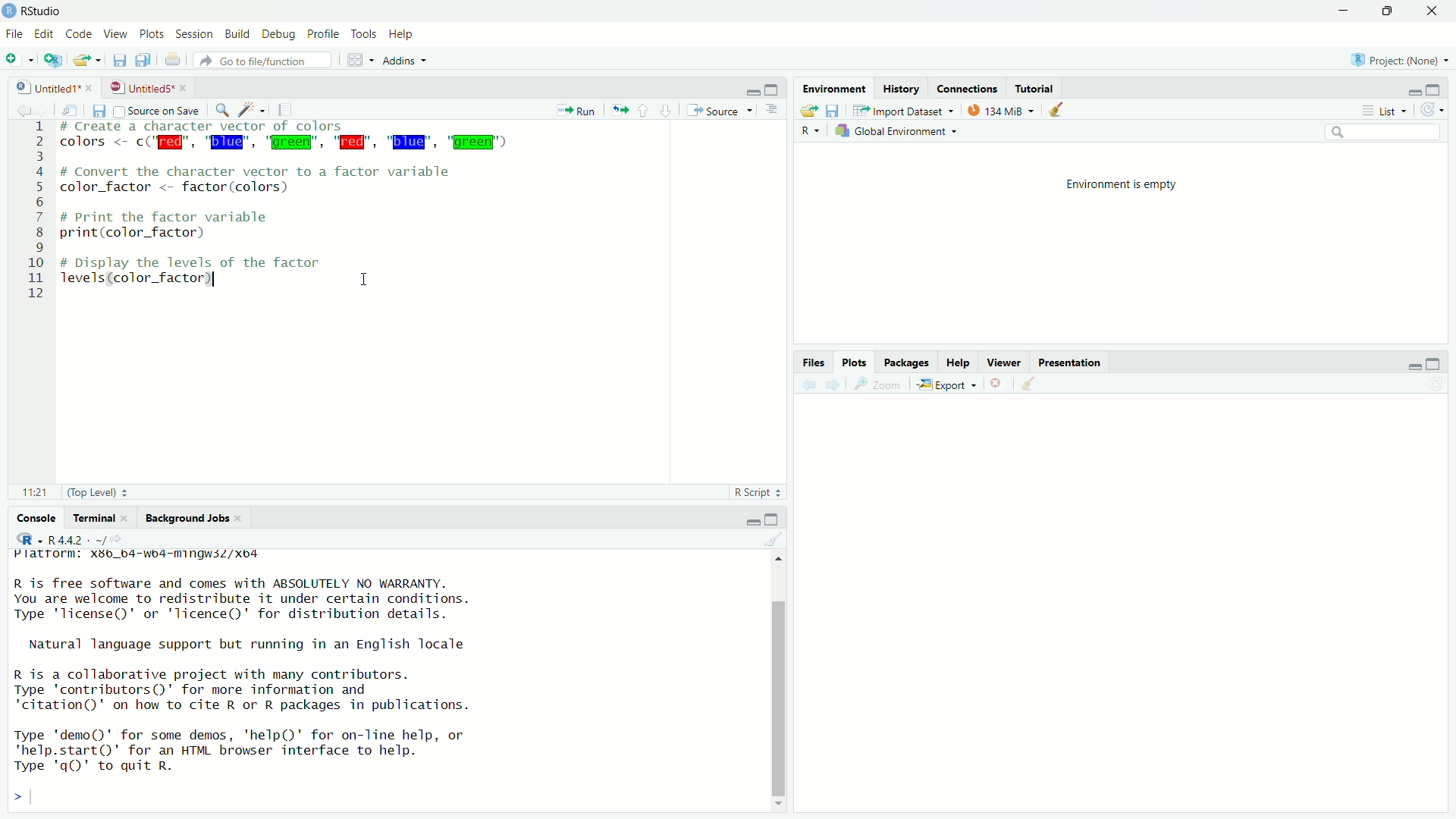 The image size is (1456, 819). I want to click on search field, so click(1387, 134).